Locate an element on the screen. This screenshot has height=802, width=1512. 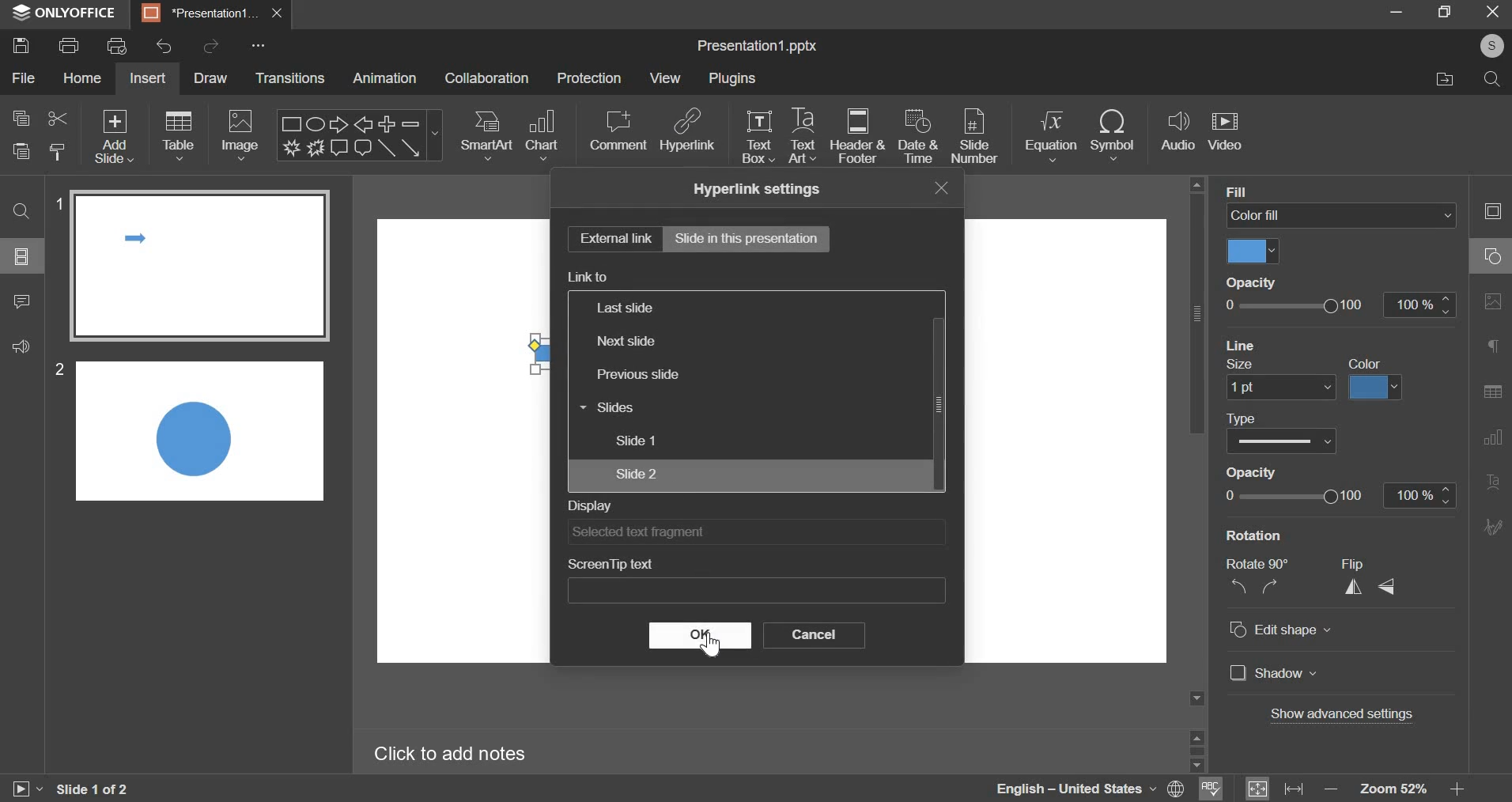
 is located at coordinates (114, 113).